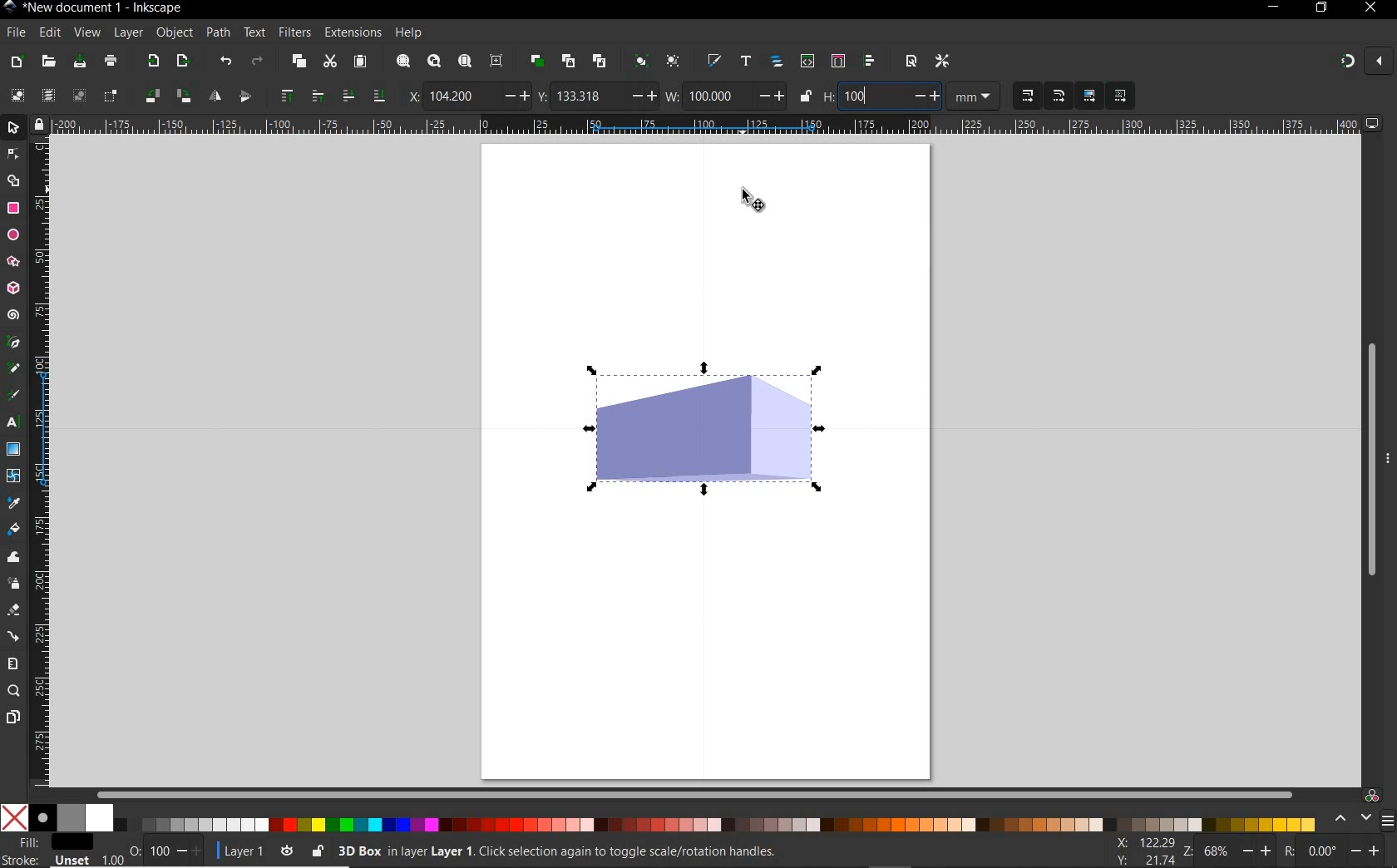 The height and width of the screenshot is (868, 1397). Describe the element at coordinates (1146, 851) in the screenshot. I see `cursor coordinates` at that location.